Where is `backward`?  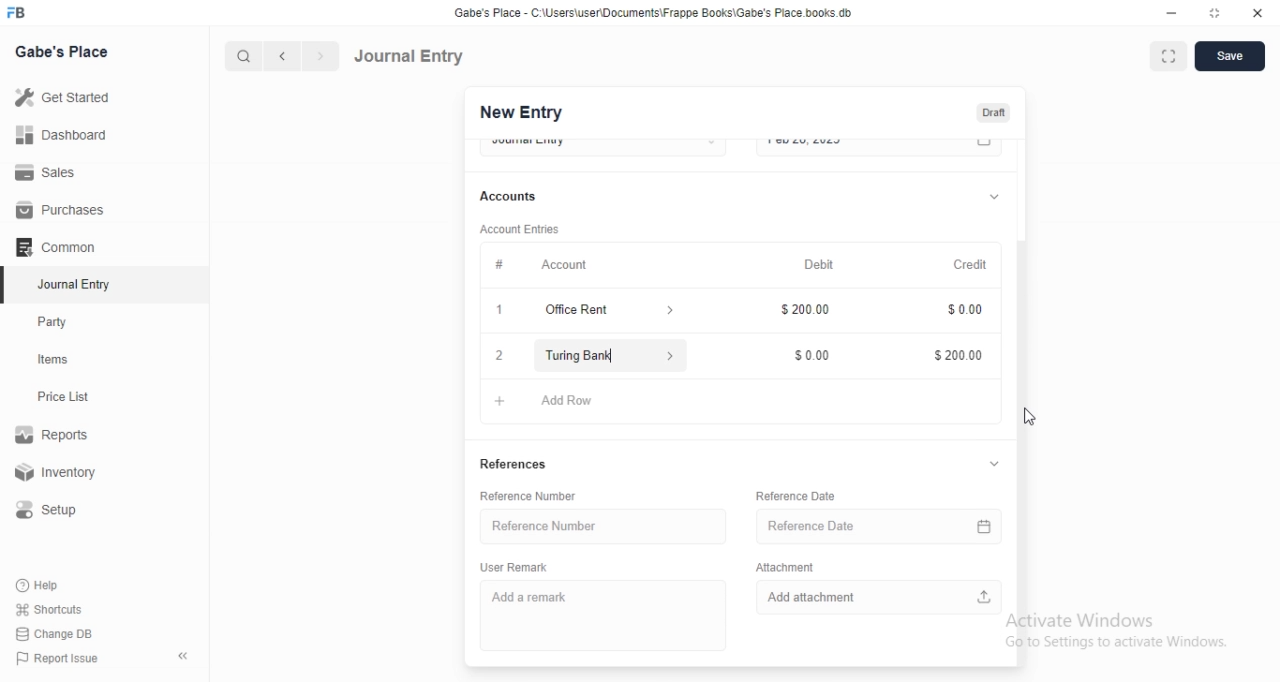 backward is located at coordinates (281, 56).